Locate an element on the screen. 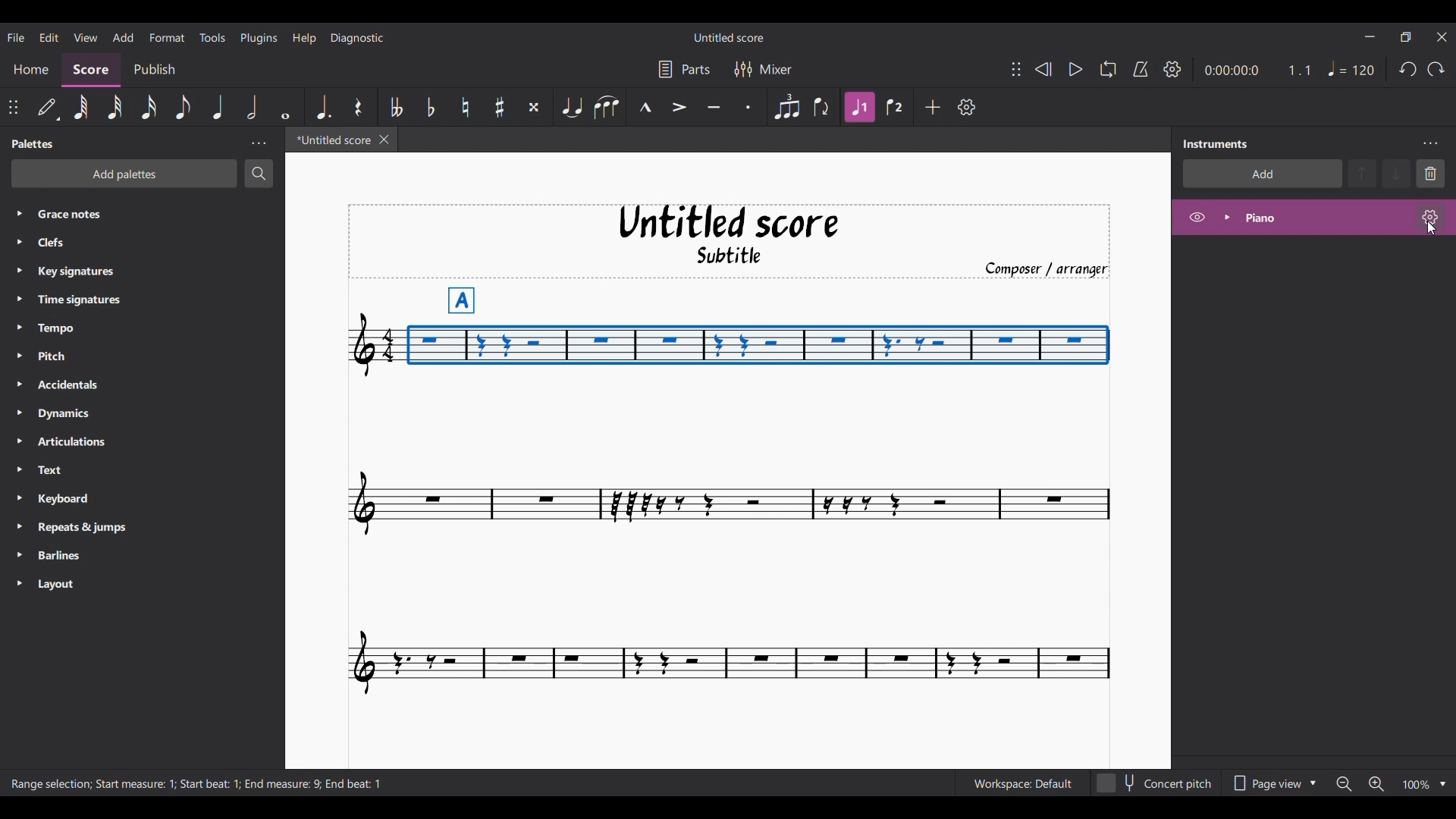 The image size is (1456, 819). Text is located at coordinates (80, 471).